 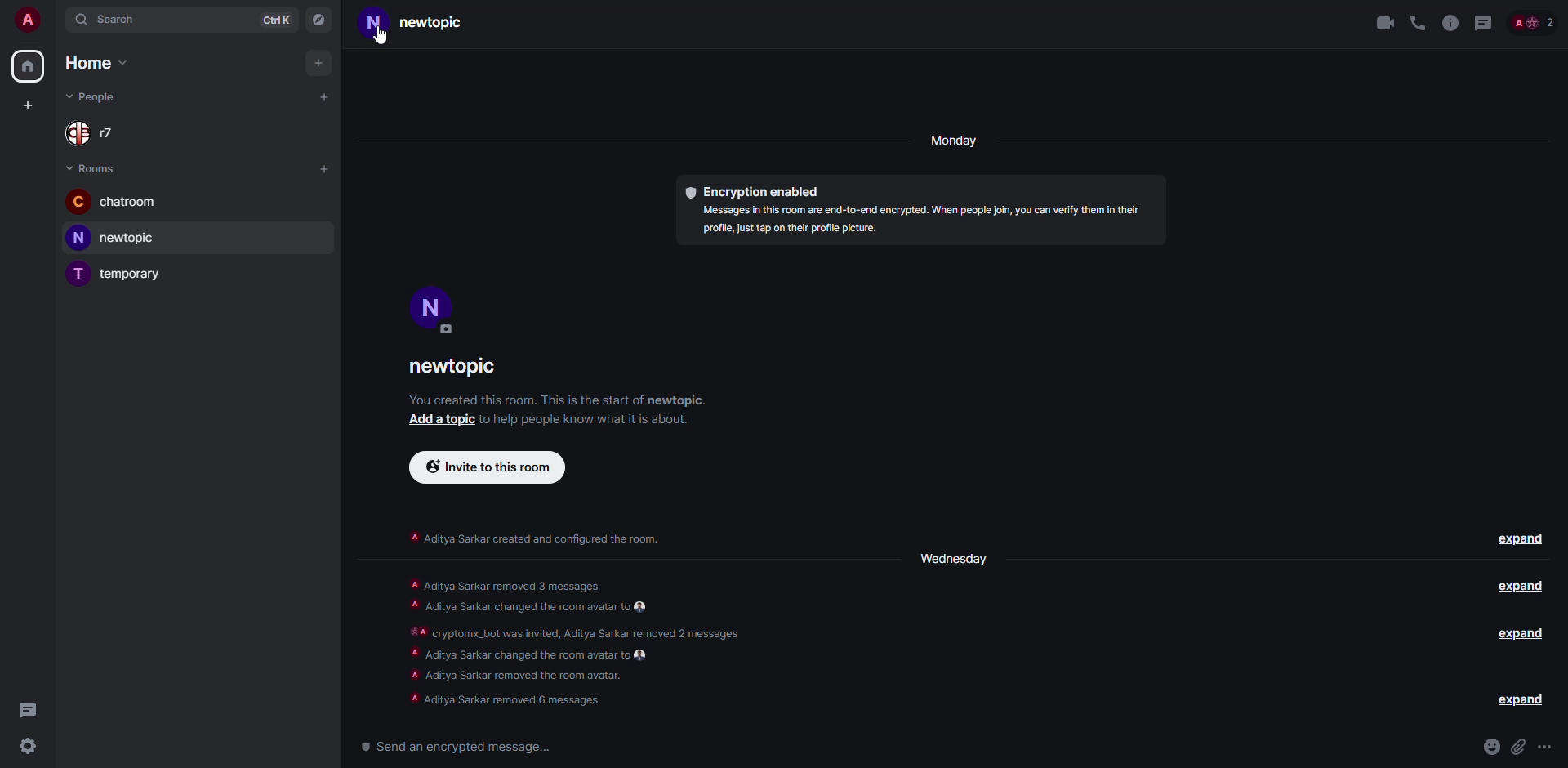 I want to click on settings, so click(x=29, y=749).